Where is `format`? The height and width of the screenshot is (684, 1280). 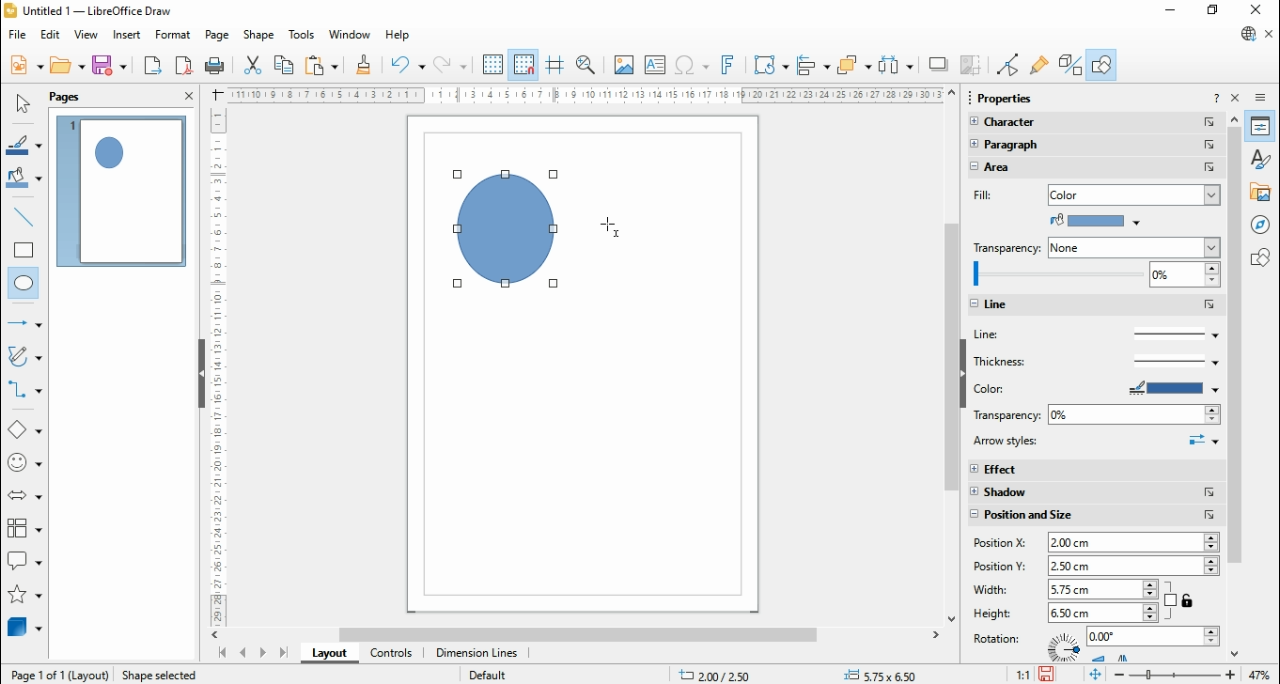 format is located at coordinates (174, 35).